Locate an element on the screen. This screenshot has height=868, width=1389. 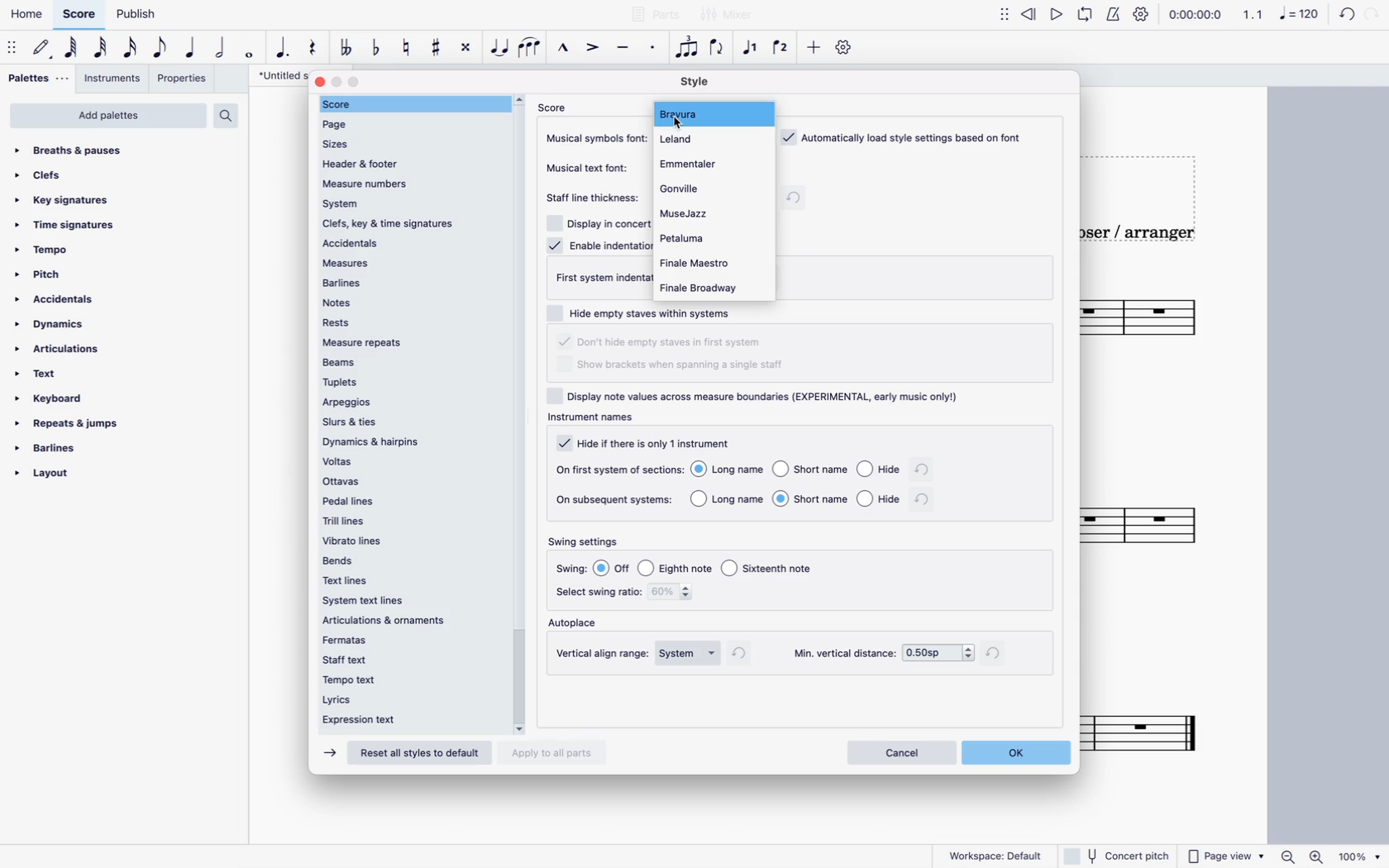
play is located at coordinates (1091, 11).